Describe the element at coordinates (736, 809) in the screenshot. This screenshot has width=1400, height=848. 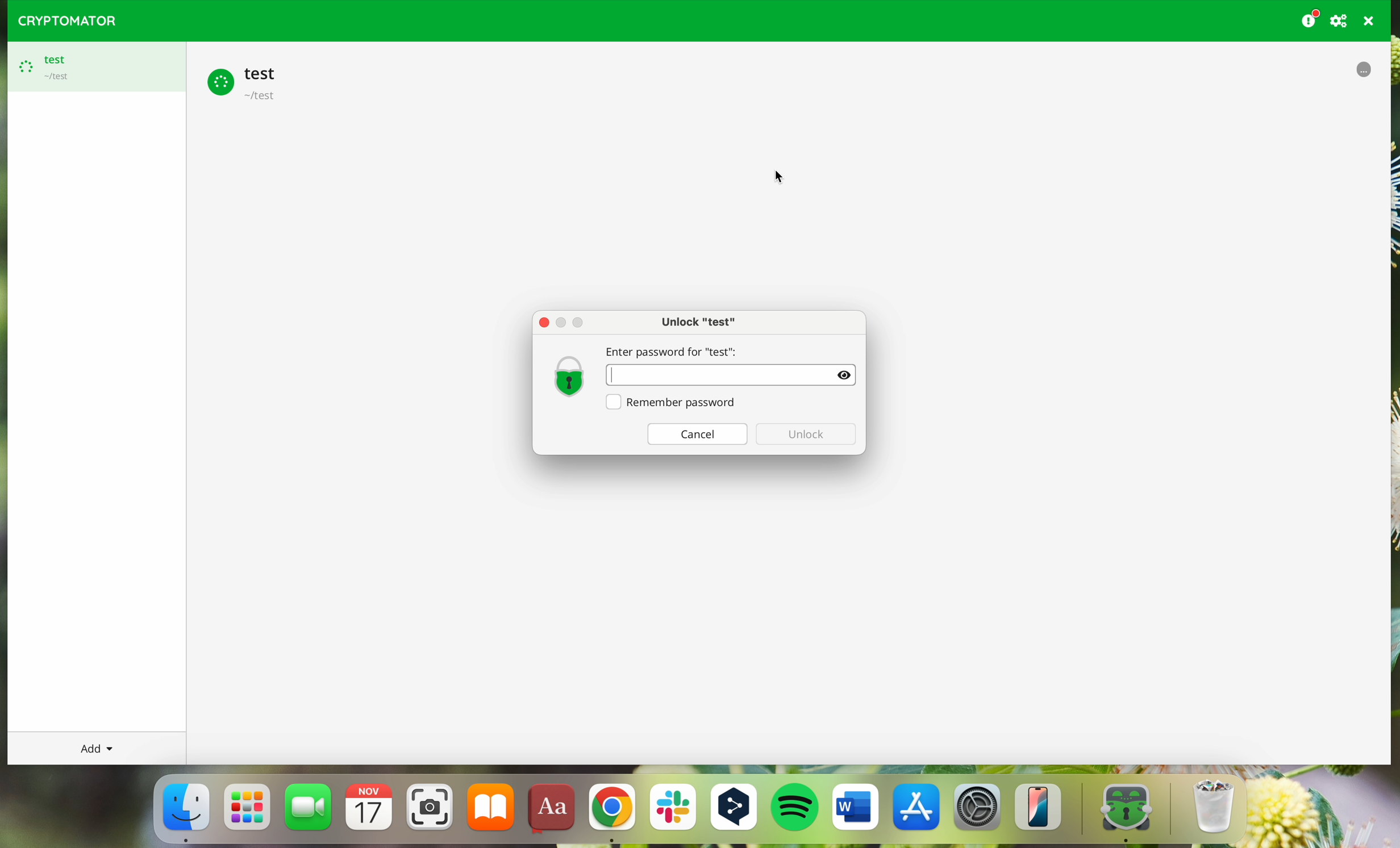
I see `DeepL` at that location.